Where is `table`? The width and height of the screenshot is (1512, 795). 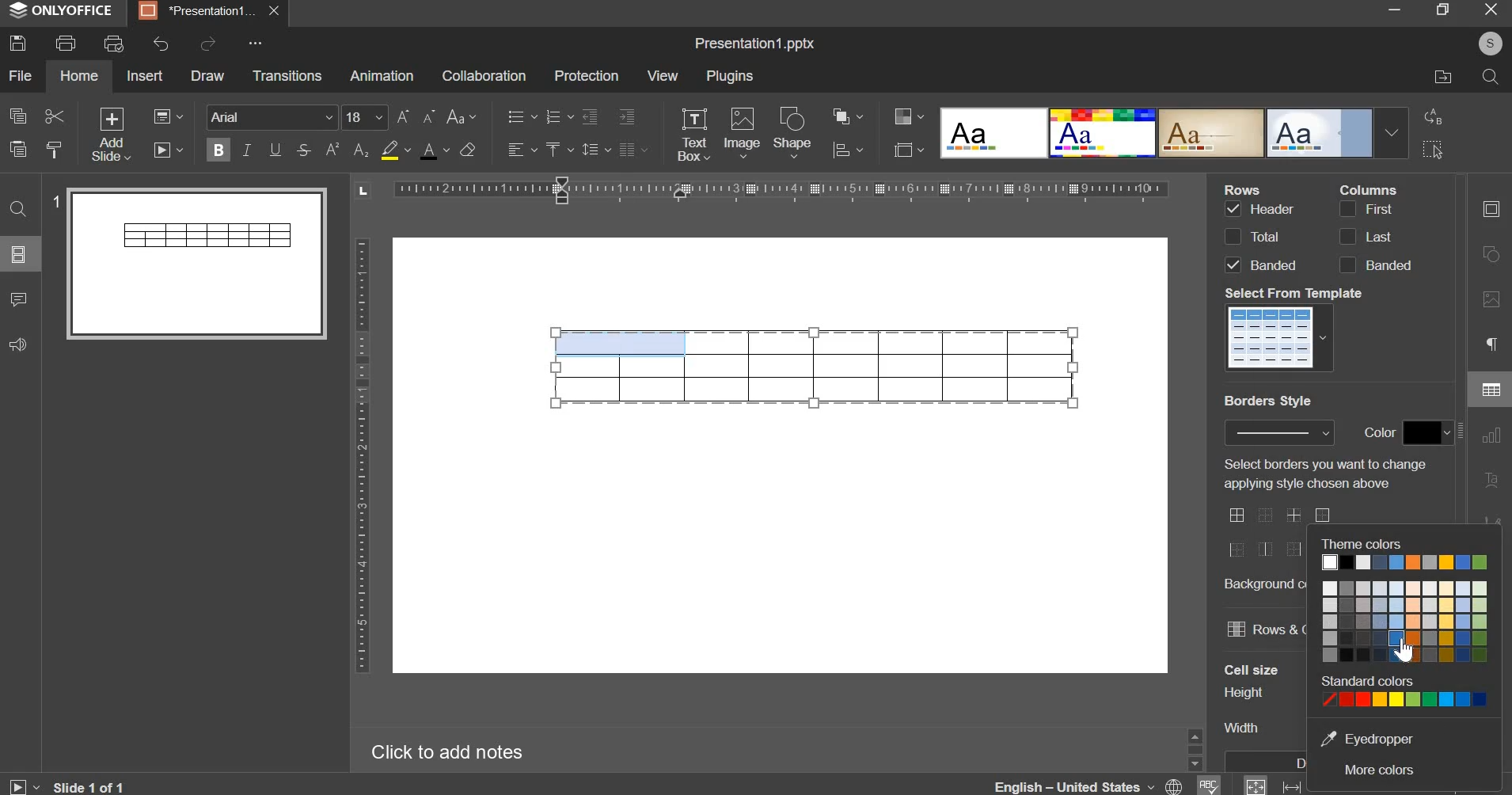 table is located at coordinates (815, 367).